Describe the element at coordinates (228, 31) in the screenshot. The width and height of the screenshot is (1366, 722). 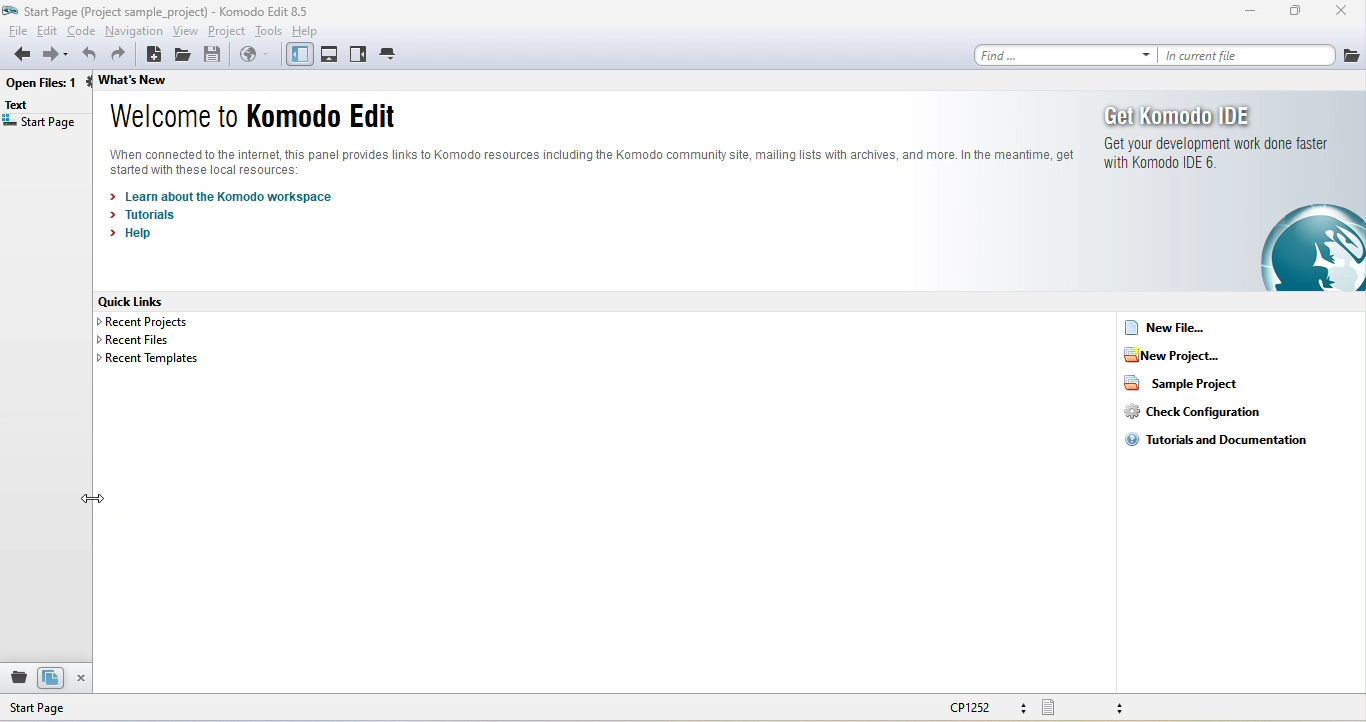
I see `project` at that location.